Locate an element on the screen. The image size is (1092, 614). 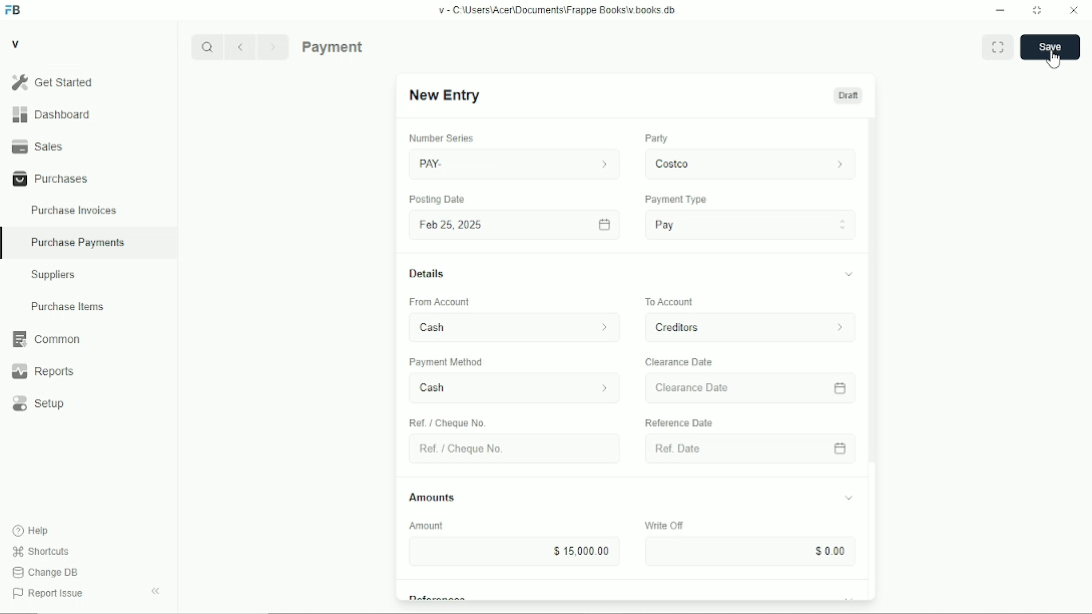
Minimize is located at coordinates (1000, 10).